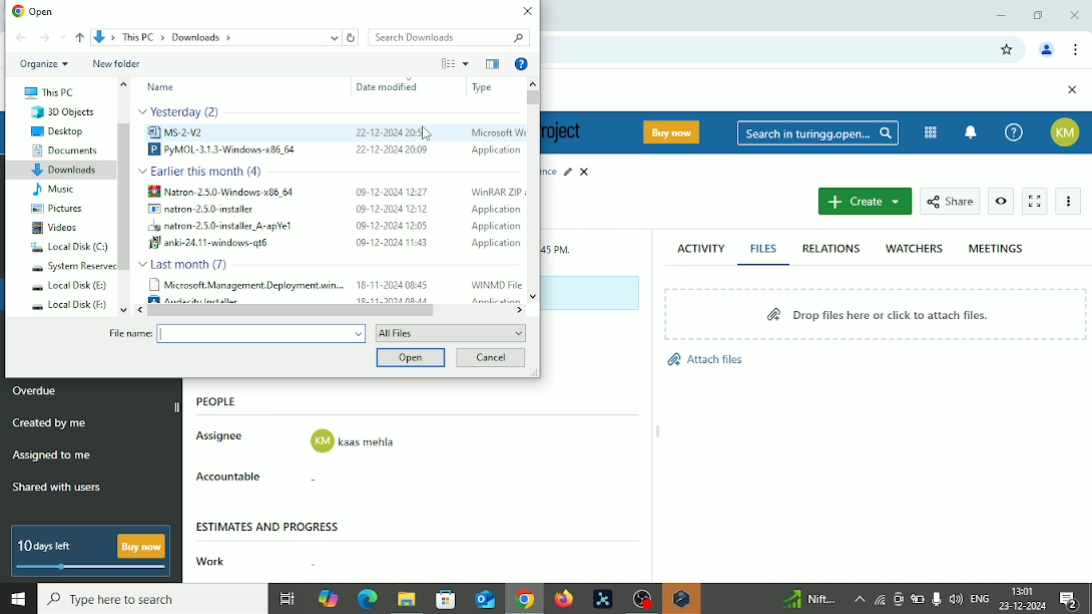 The height and width of the screenshot is (614, 1092). Describe the element at coordinates (443, 598) in the screenshot. I see `Microsoft store` at that location.